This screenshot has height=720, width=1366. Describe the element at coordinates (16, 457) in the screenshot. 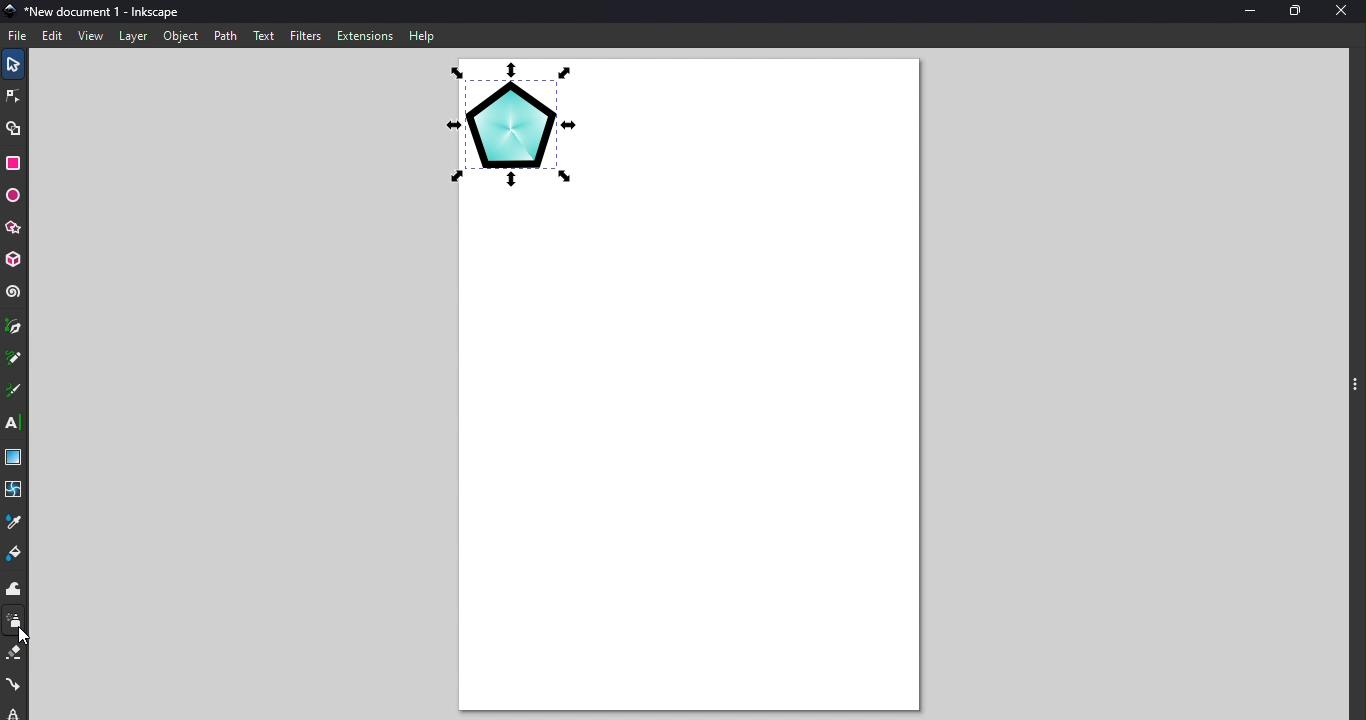

I see `Gradient tool` at that location.